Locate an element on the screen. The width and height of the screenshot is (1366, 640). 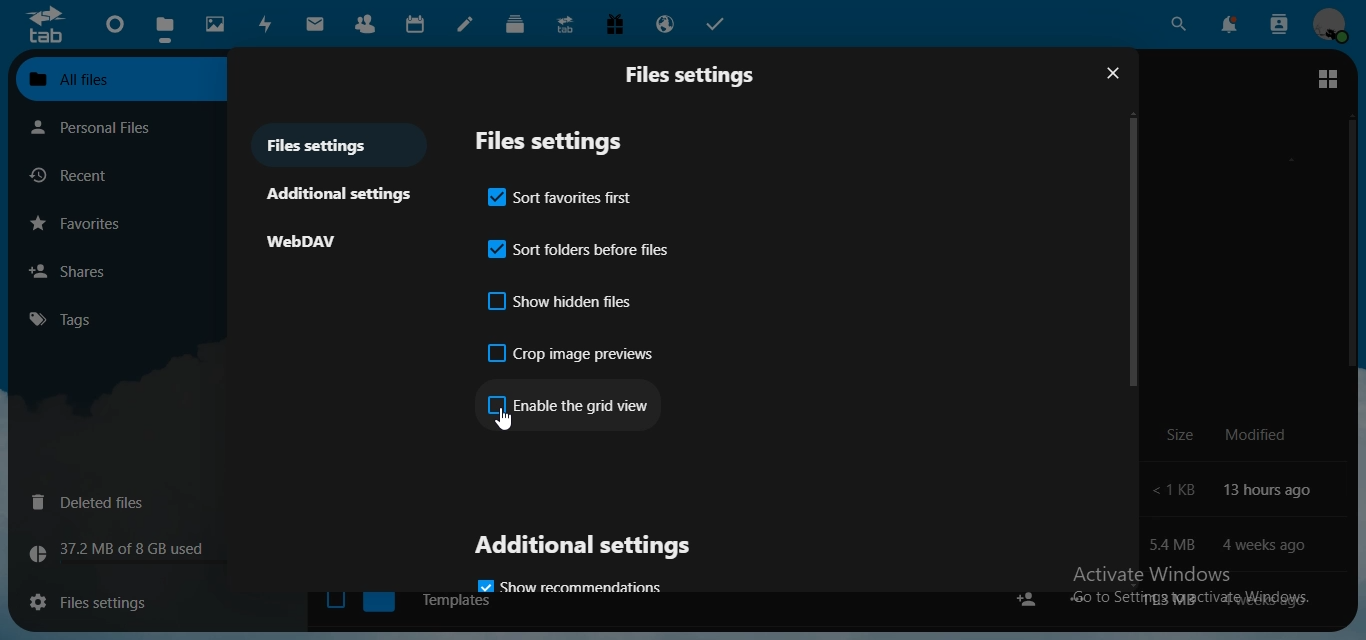
search contacts is located at coordinates (1278, 22).